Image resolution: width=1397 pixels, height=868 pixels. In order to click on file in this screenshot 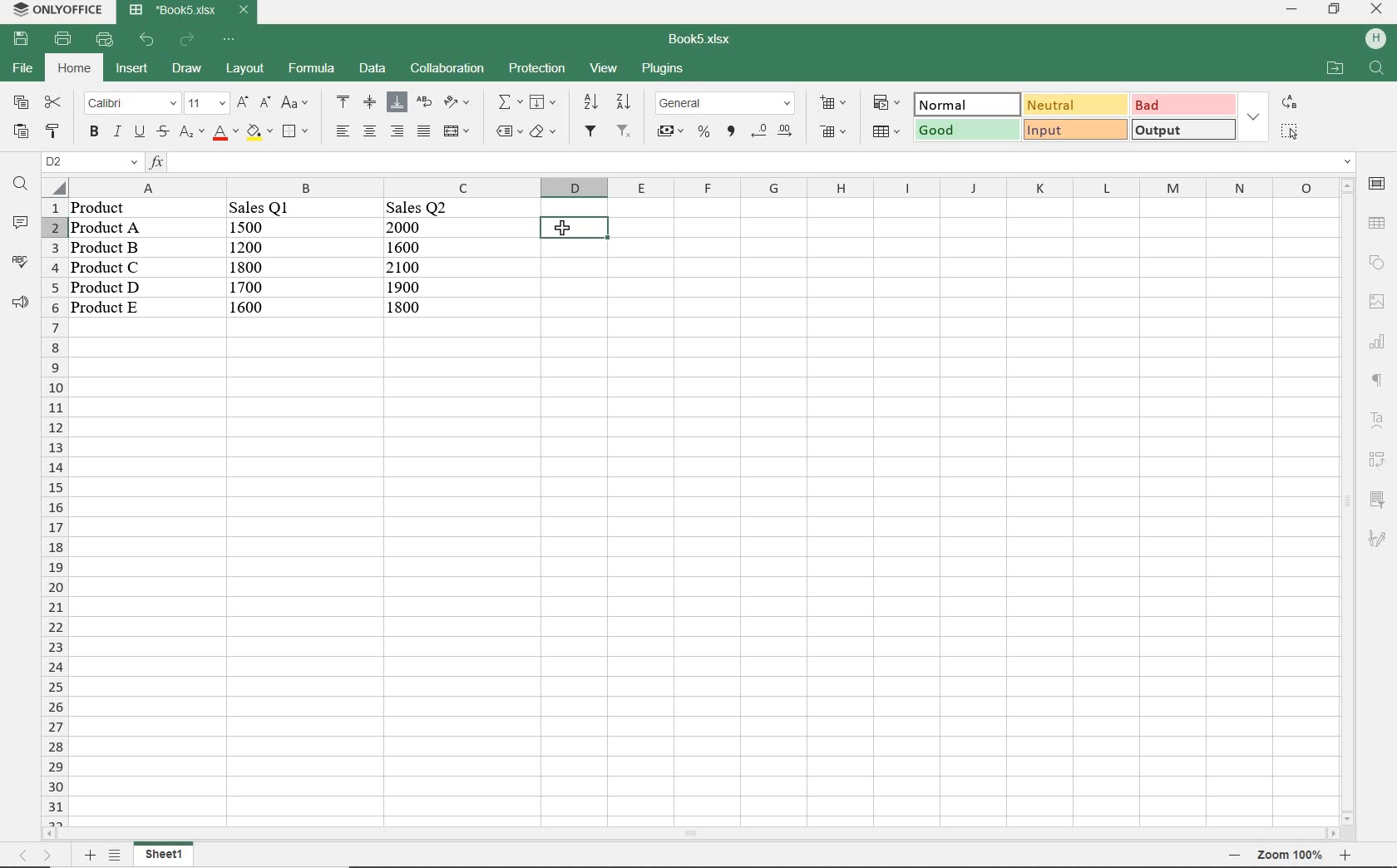, I will do `click(25, 67)`.